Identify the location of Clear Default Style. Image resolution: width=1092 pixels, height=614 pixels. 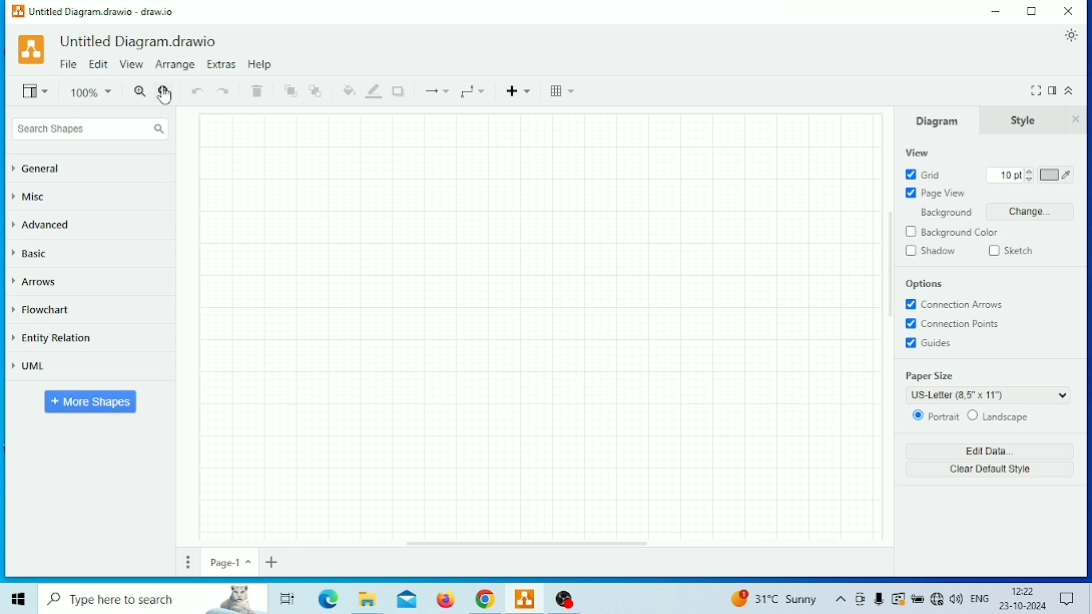
(989, 470).